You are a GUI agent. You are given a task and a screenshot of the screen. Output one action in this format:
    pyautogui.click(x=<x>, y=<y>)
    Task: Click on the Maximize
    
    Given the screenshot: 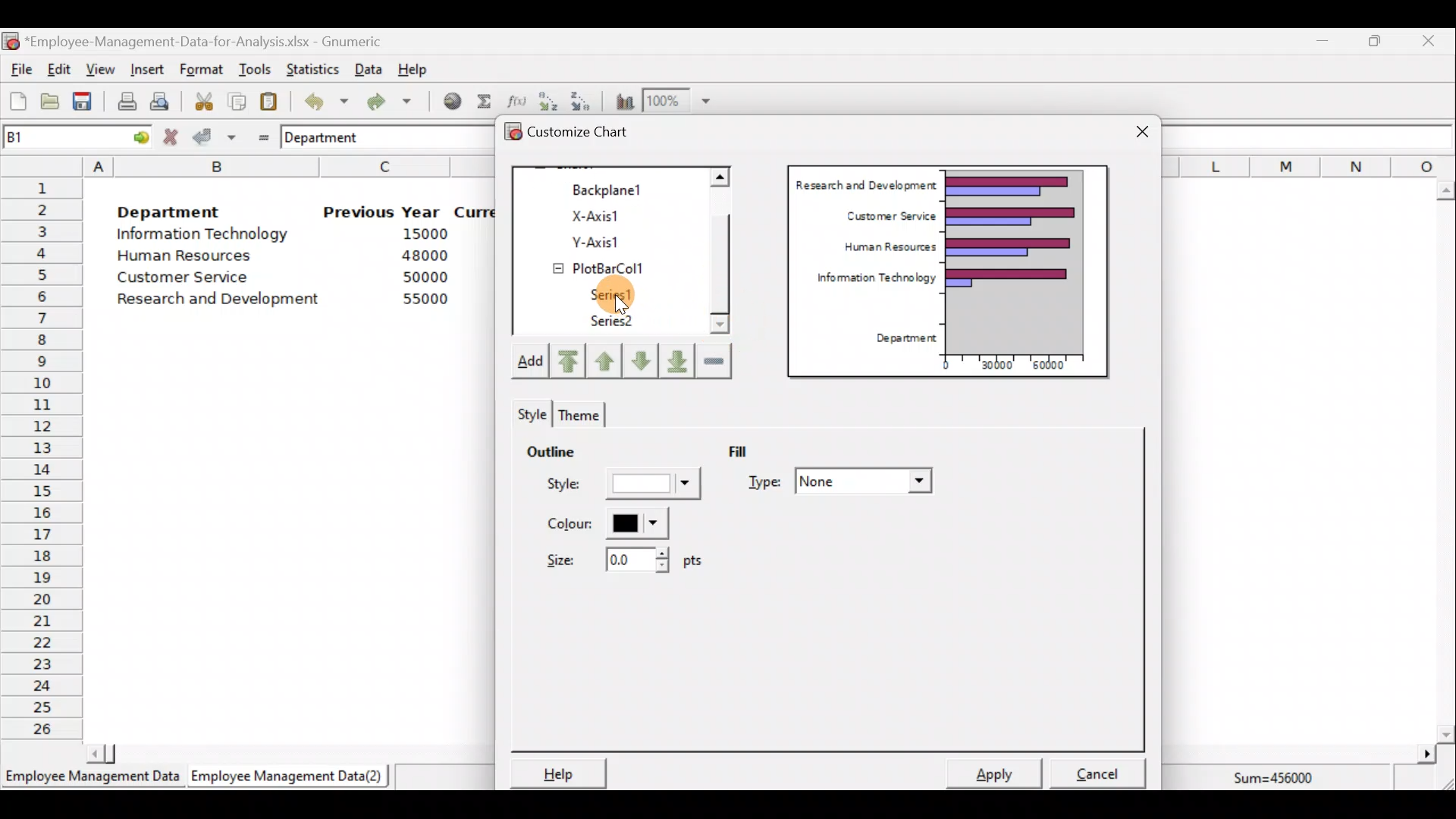 What is the action you would take?
    pyautogui.click(x=1375, y=40)
    